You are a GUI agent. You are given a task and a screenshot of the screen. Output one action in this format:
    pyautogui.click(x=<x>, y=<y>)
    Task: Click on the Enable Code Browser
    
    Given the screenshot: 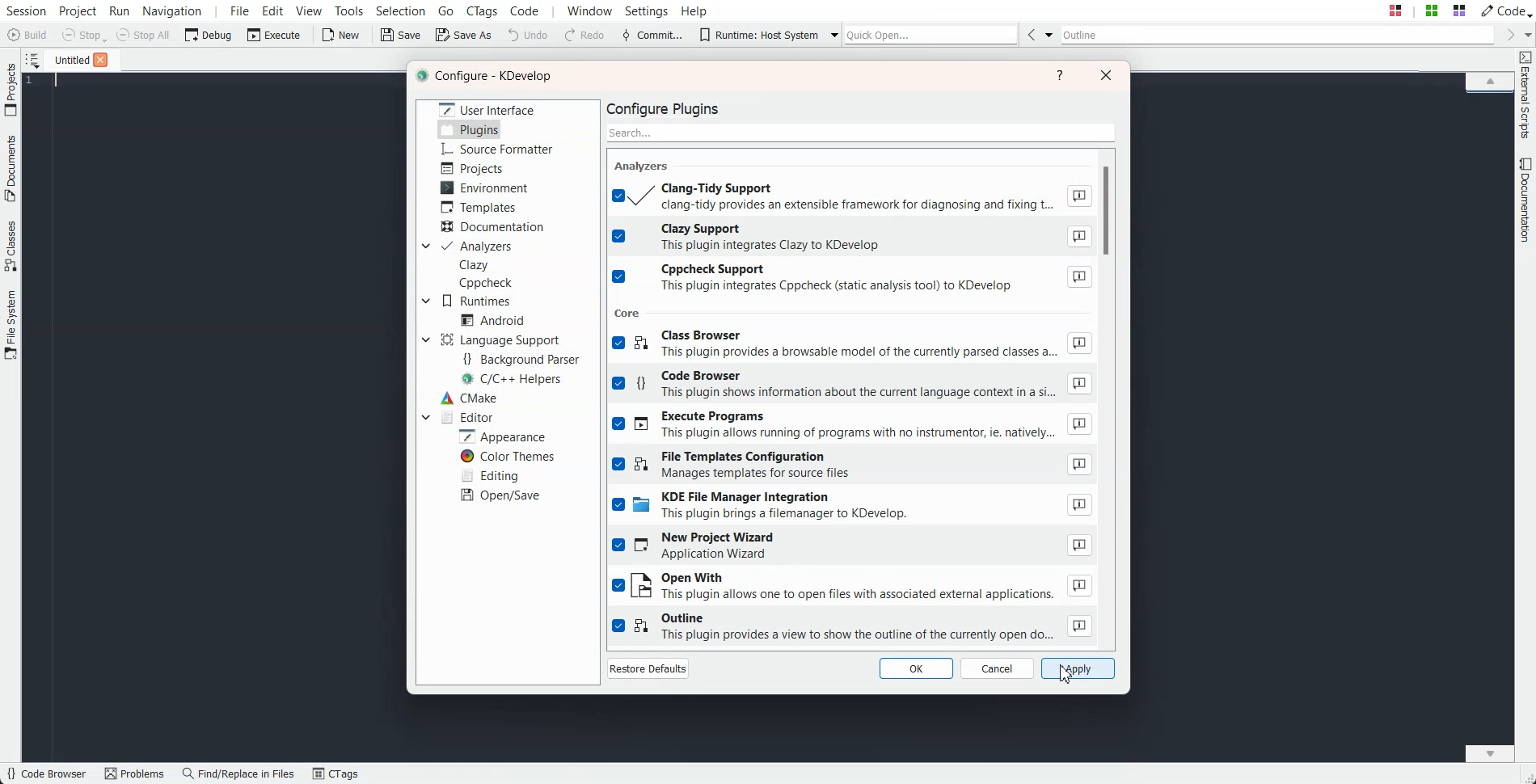 What is the action you would take?
    pyautogui.click(x=852, y=386)
    